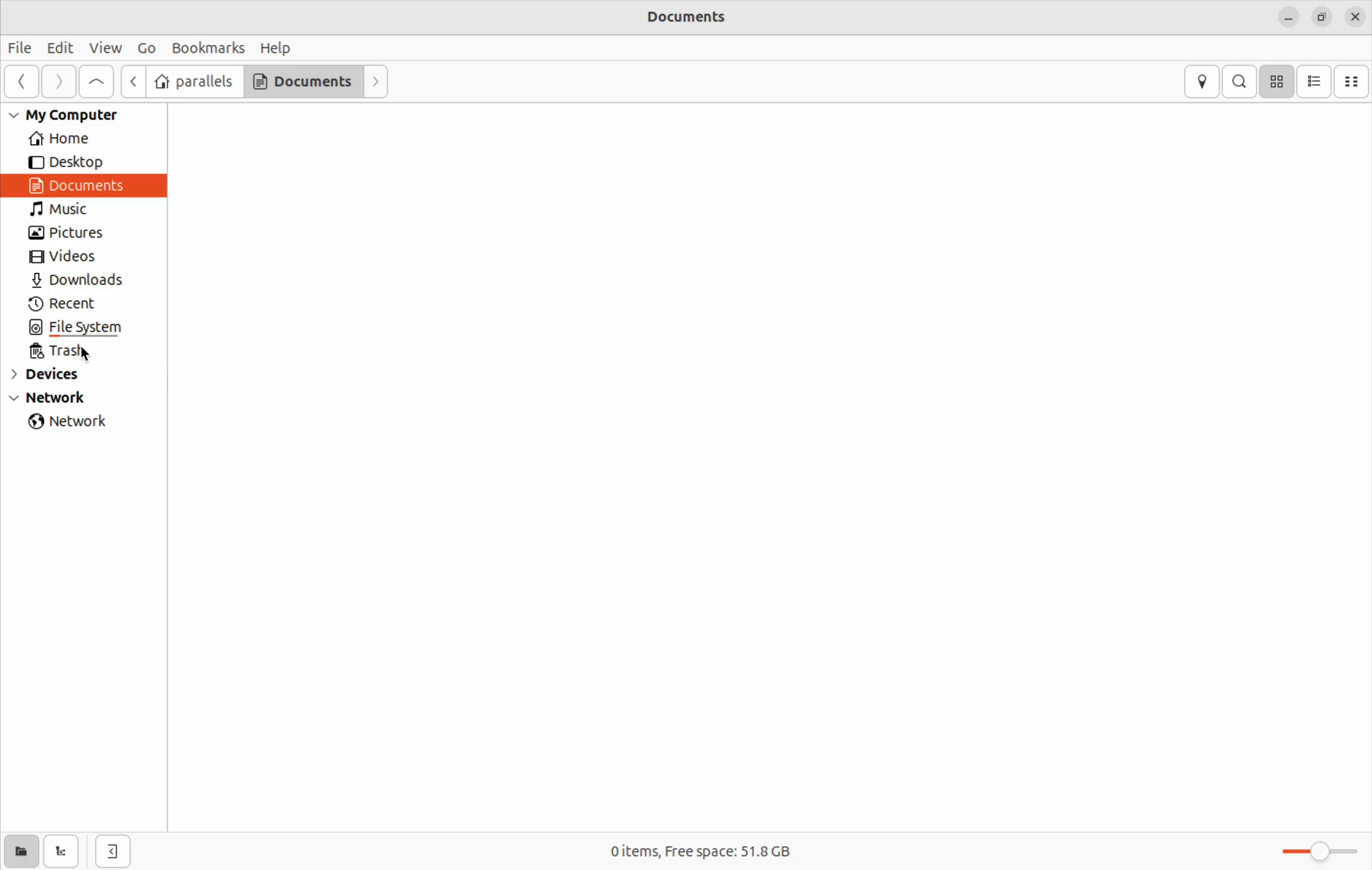 The height and width of the screenshot is (870, 1372). I want to click on view, so click(105, 47).